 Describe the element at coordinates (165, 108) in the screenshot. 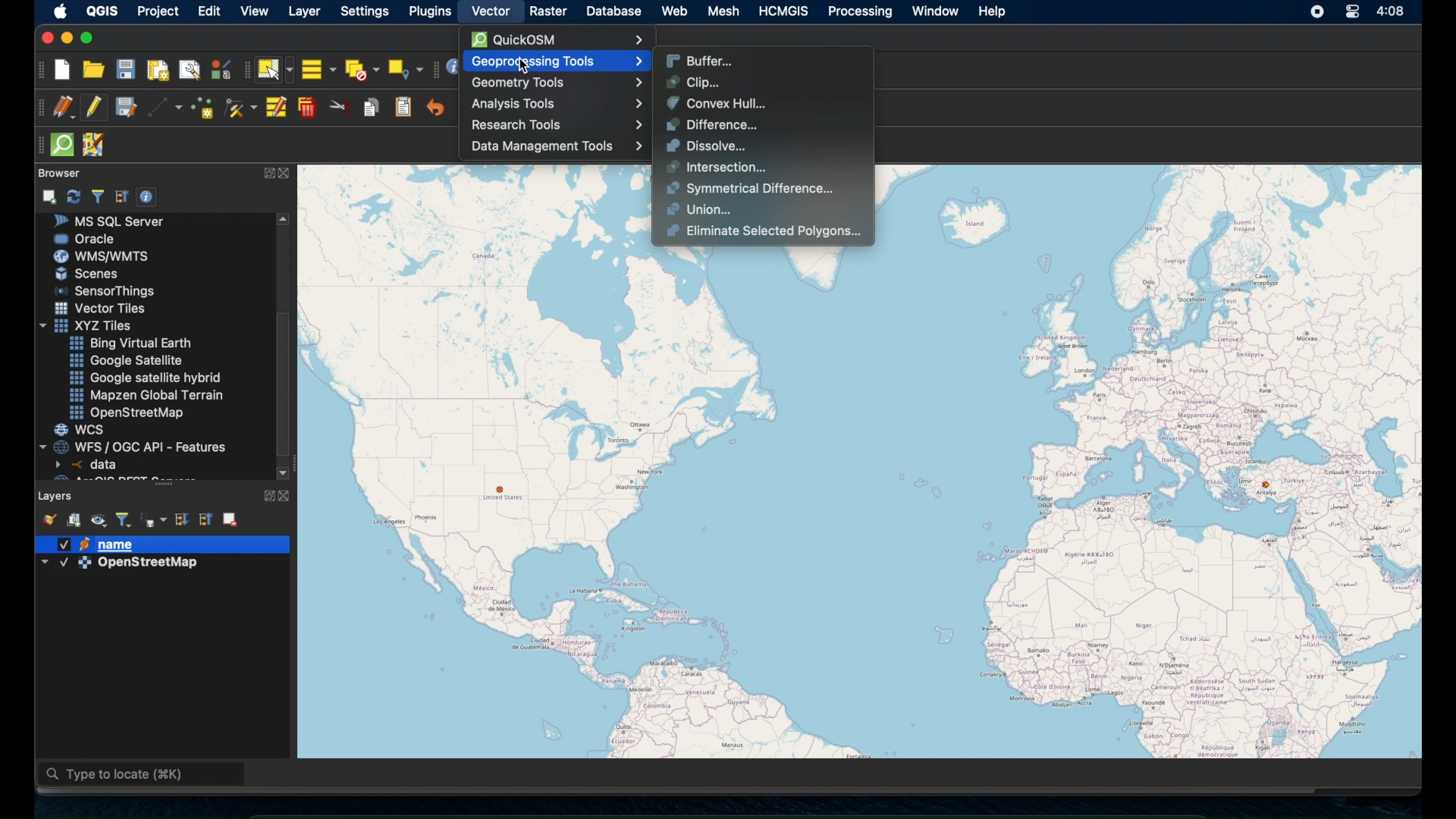

I see `digitize with segment` at that location.